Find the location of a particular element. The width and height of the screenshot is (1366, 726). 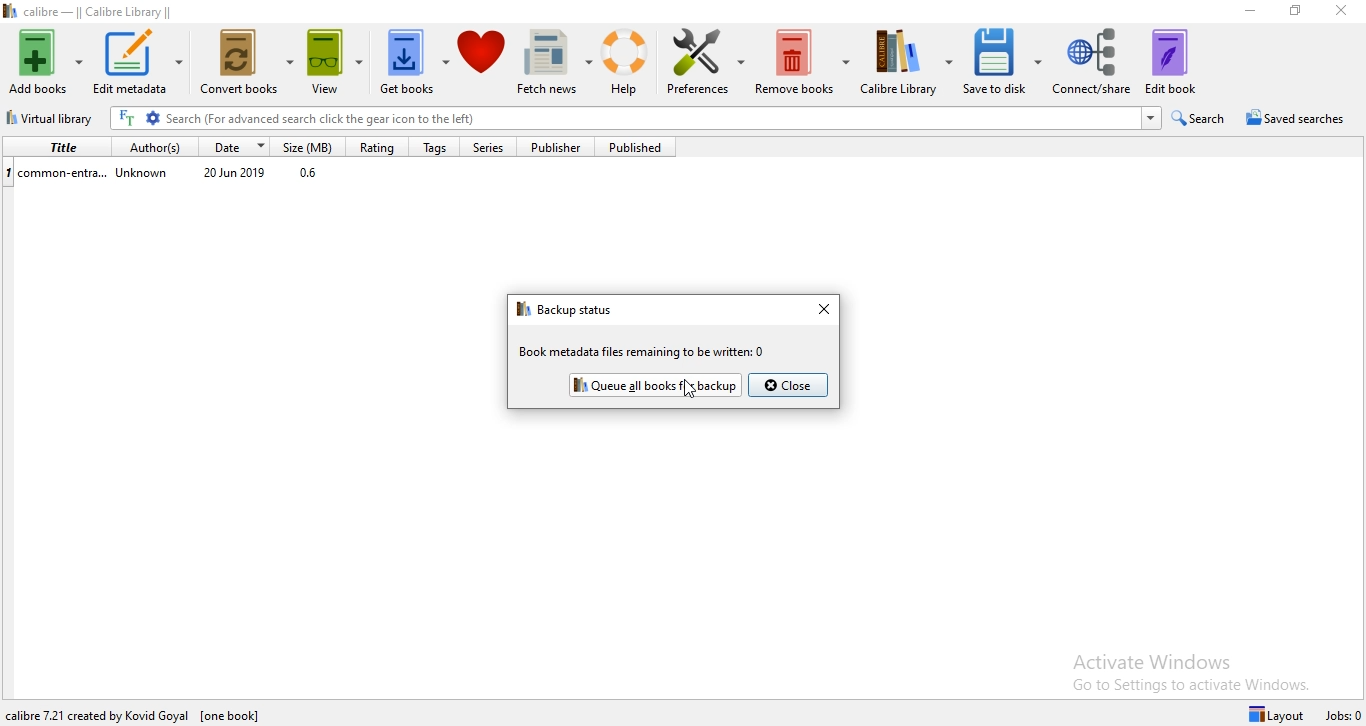

Rating is located at coordinates (375, 147).